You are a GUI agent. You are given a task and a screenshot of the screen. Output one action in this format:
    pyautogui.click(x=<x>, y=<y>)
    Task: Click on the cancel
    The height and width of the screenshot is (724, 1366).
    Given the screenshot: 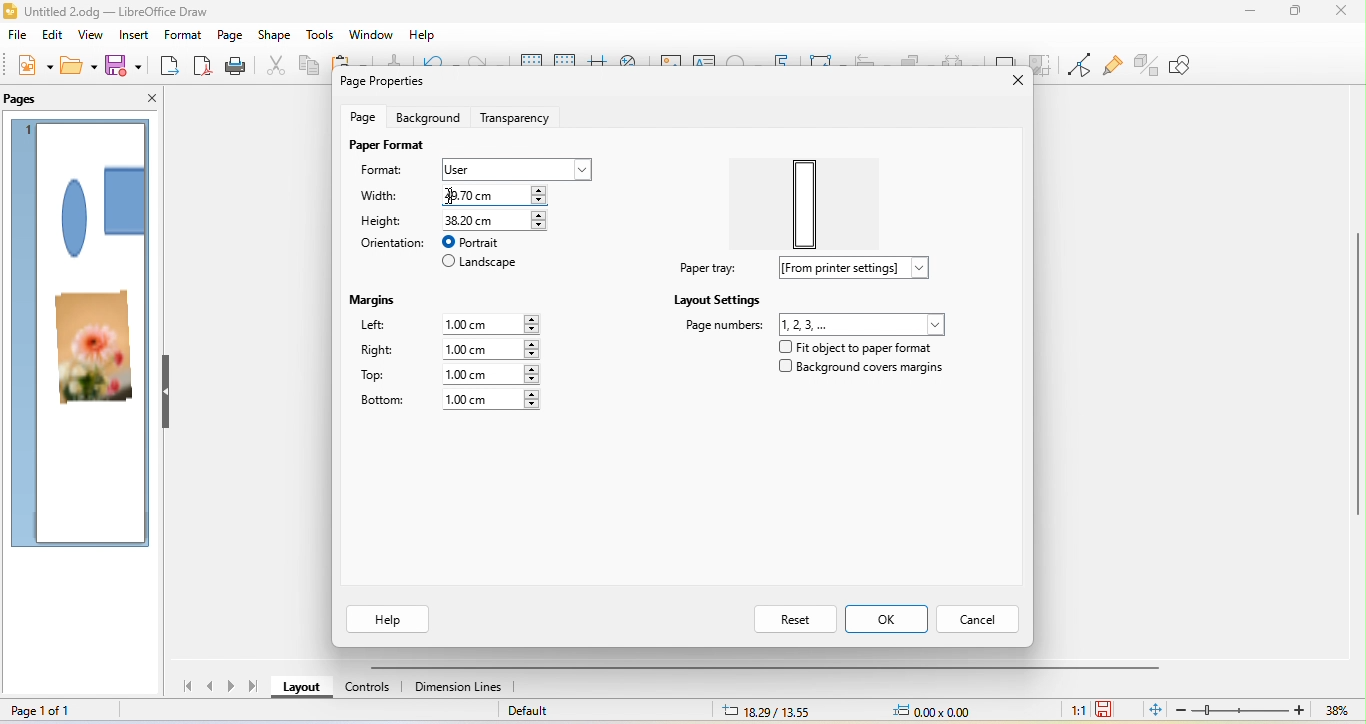 What is the action you would take?
    pyautogui.click(x=982, y=618)
    